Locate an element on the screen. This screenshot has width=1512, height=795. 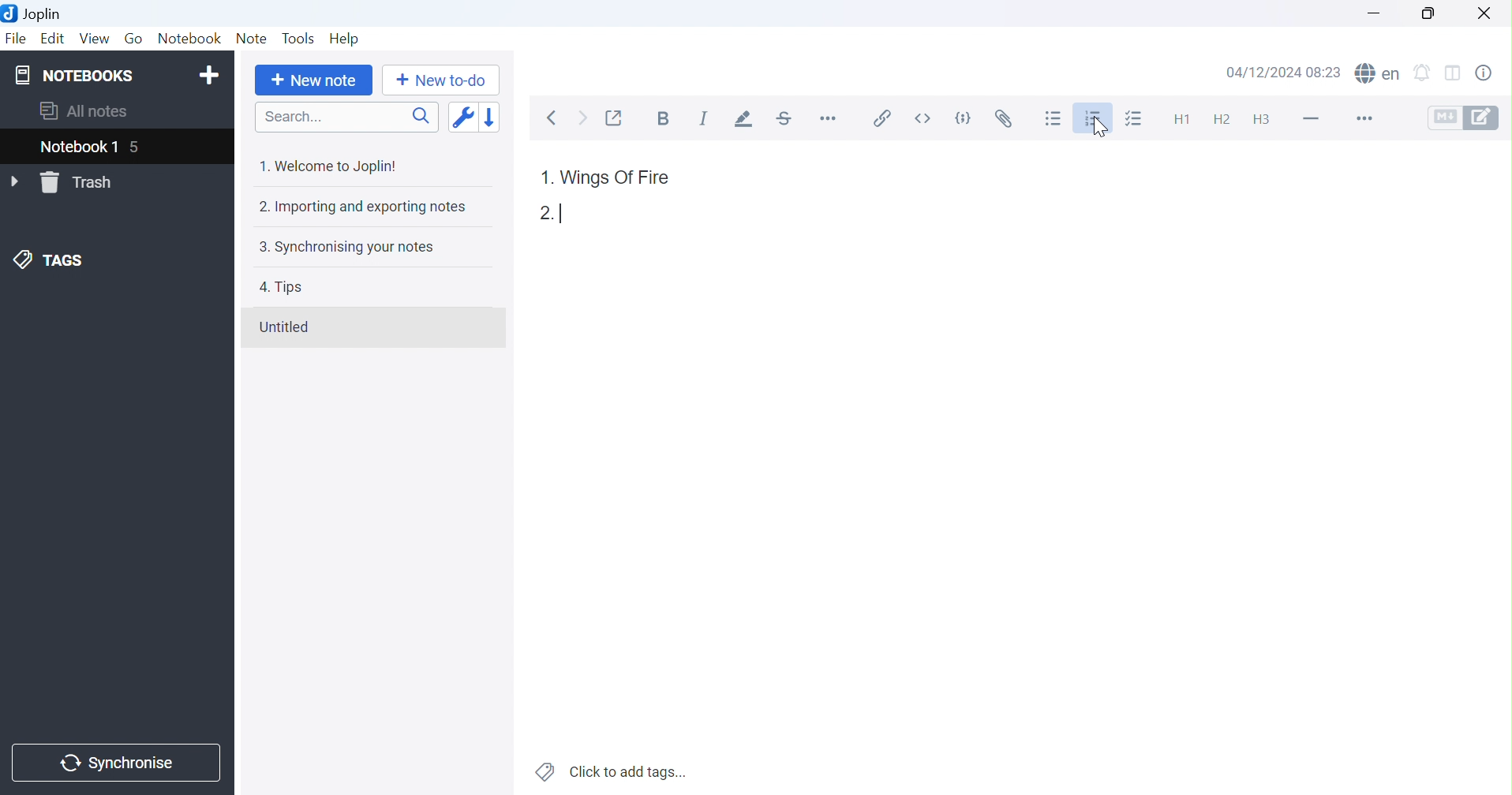
Horizontal is located at coordinates (829, 121).